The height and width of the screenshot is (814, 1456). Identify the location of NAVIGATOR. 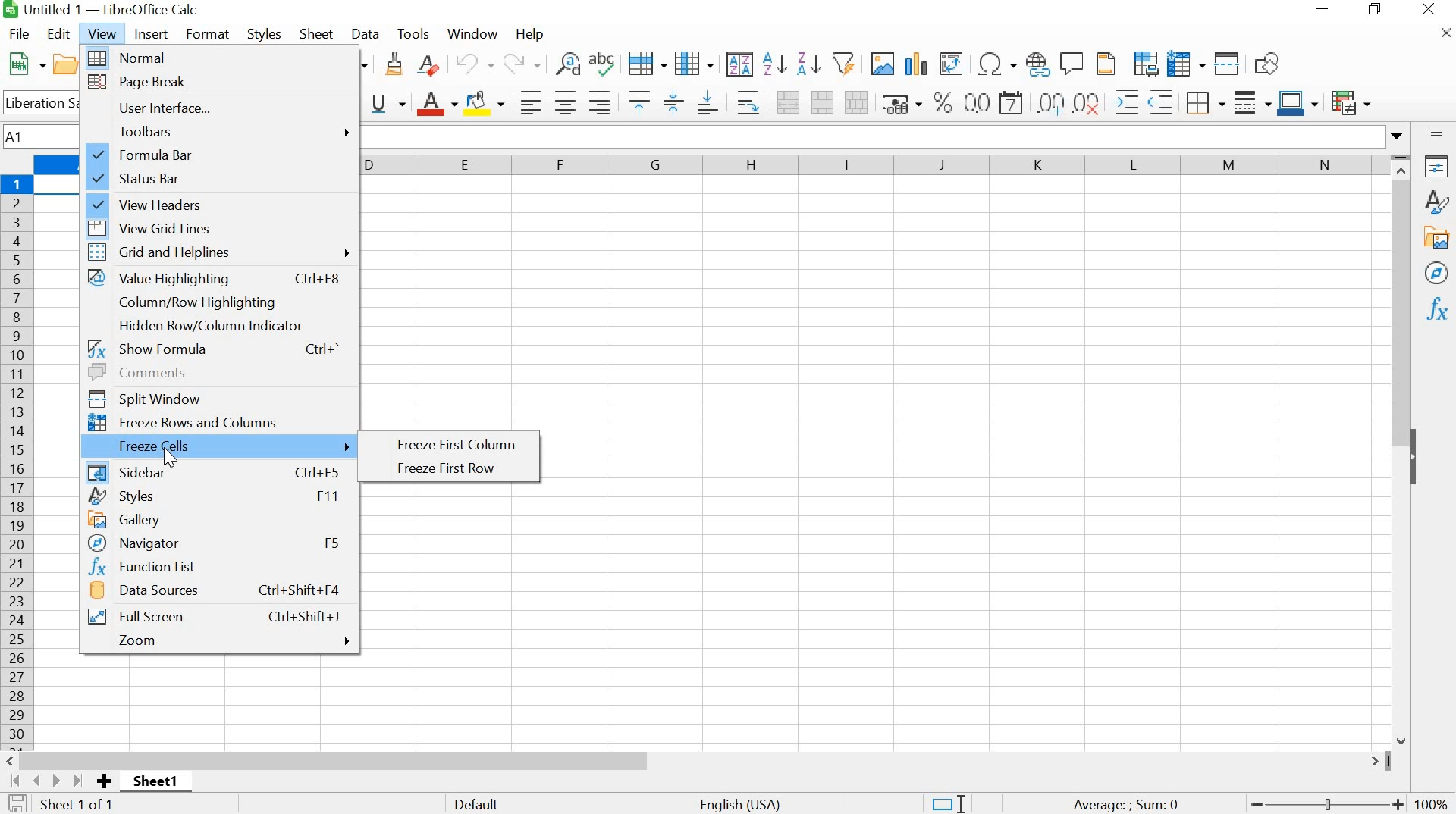
(216, 543).